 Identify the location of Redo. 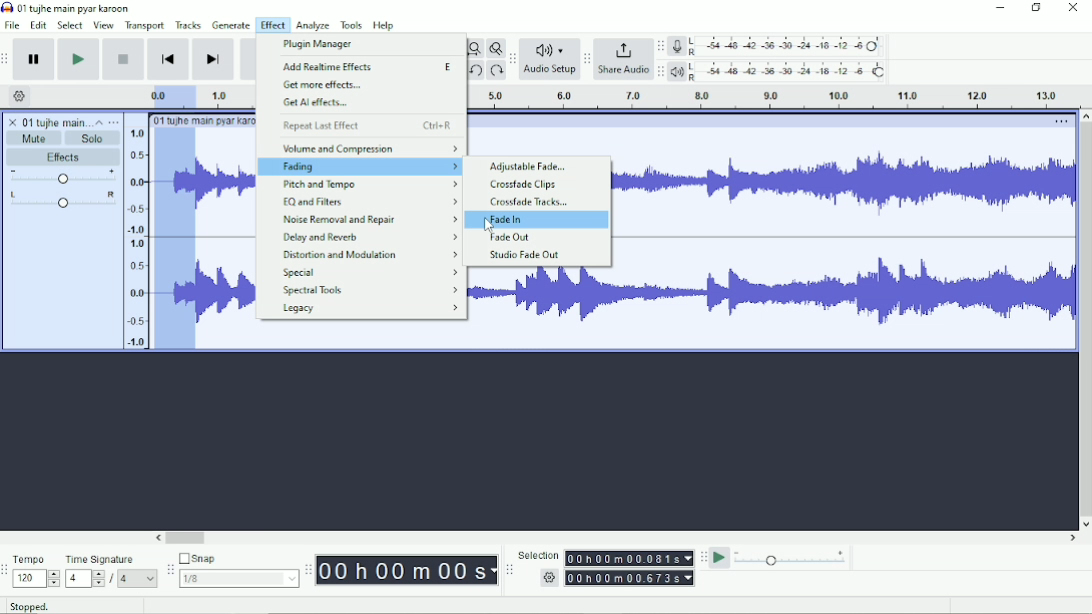
(496, 72).